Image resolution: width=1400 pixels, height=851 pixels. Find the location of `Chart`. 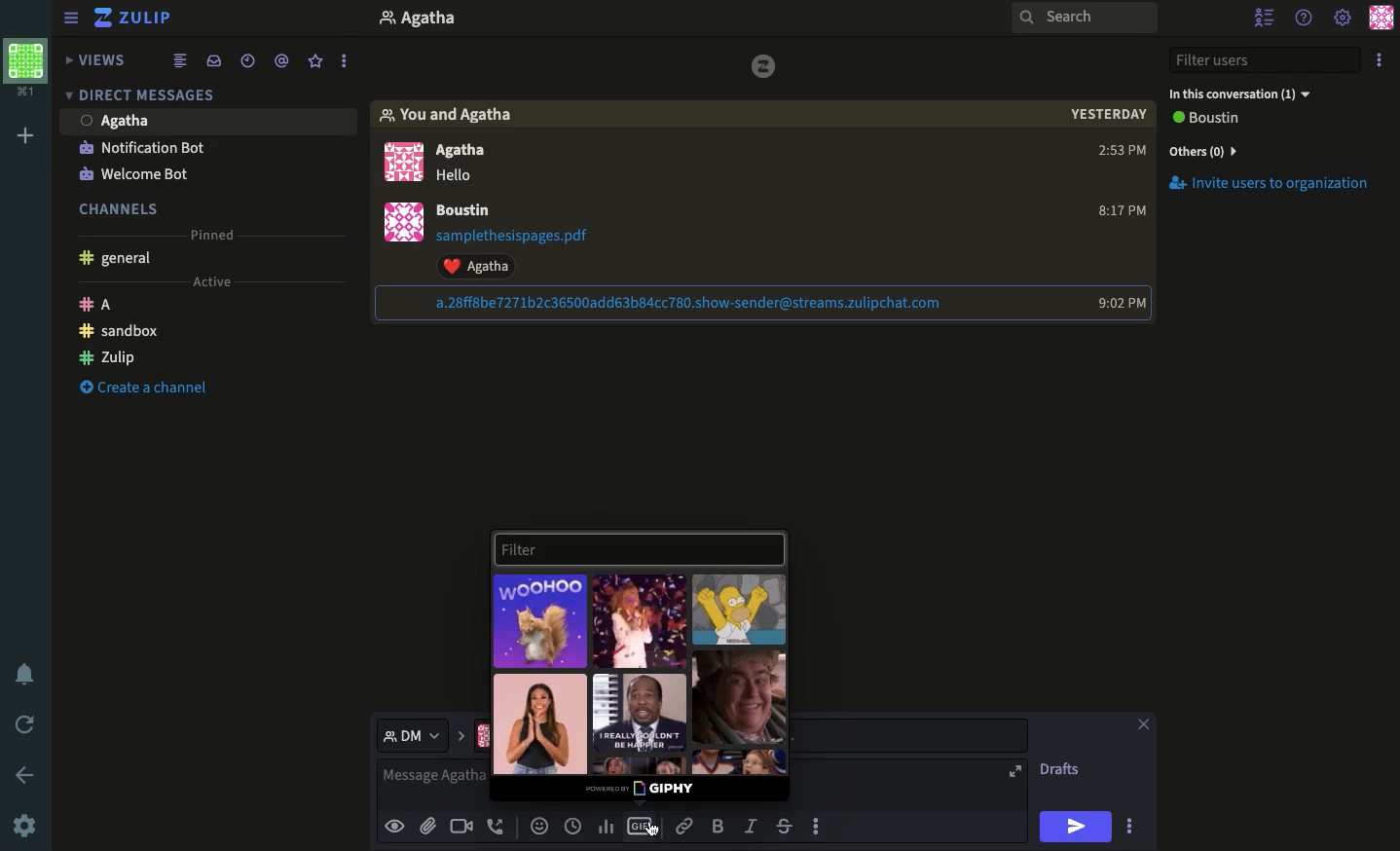

Chart is located at coordinates (605, 827).